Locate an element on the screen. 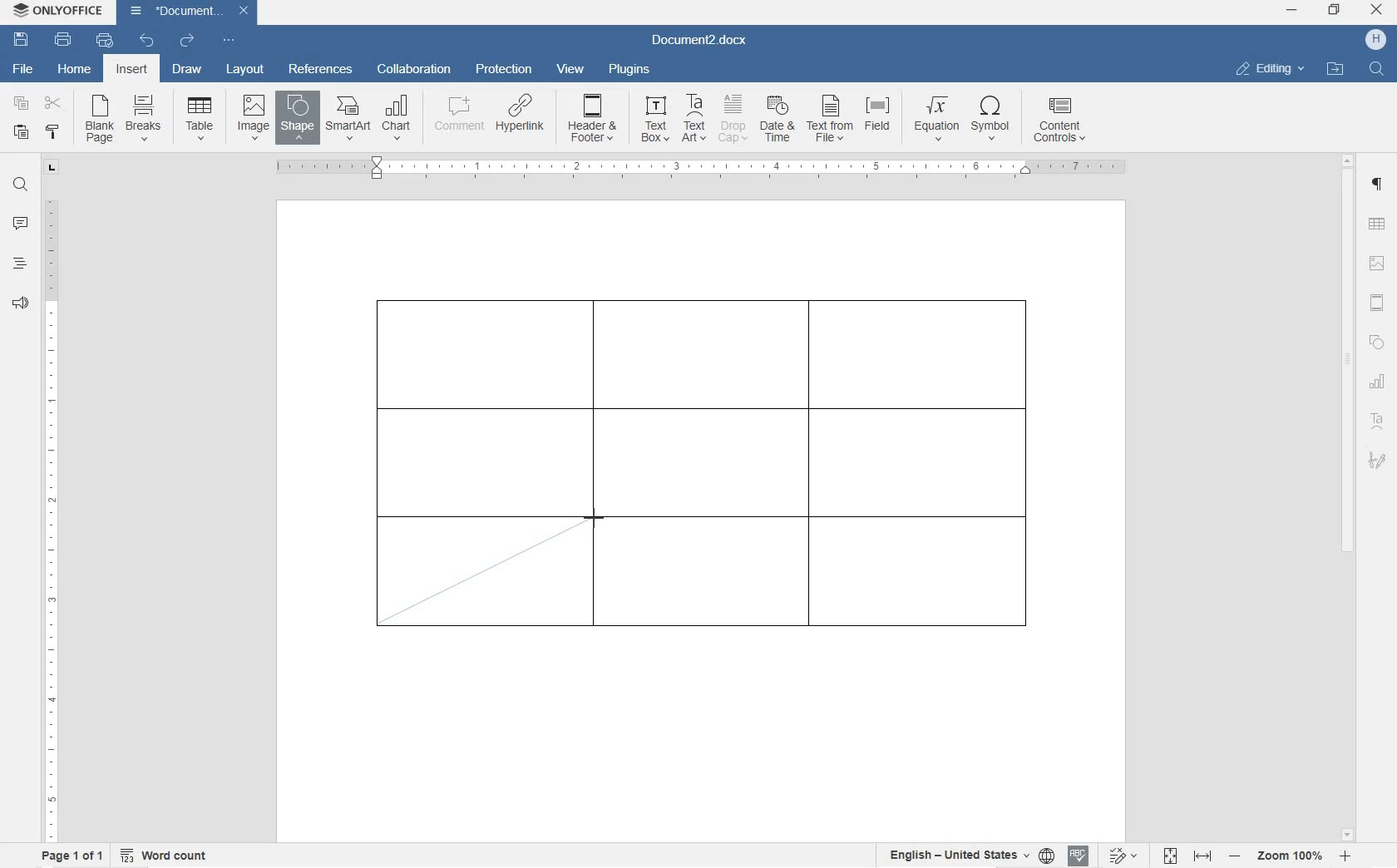 This screenshot has height=868, width=1397. OPEN FILE LOCATION is located at coordinates (1337, 70).